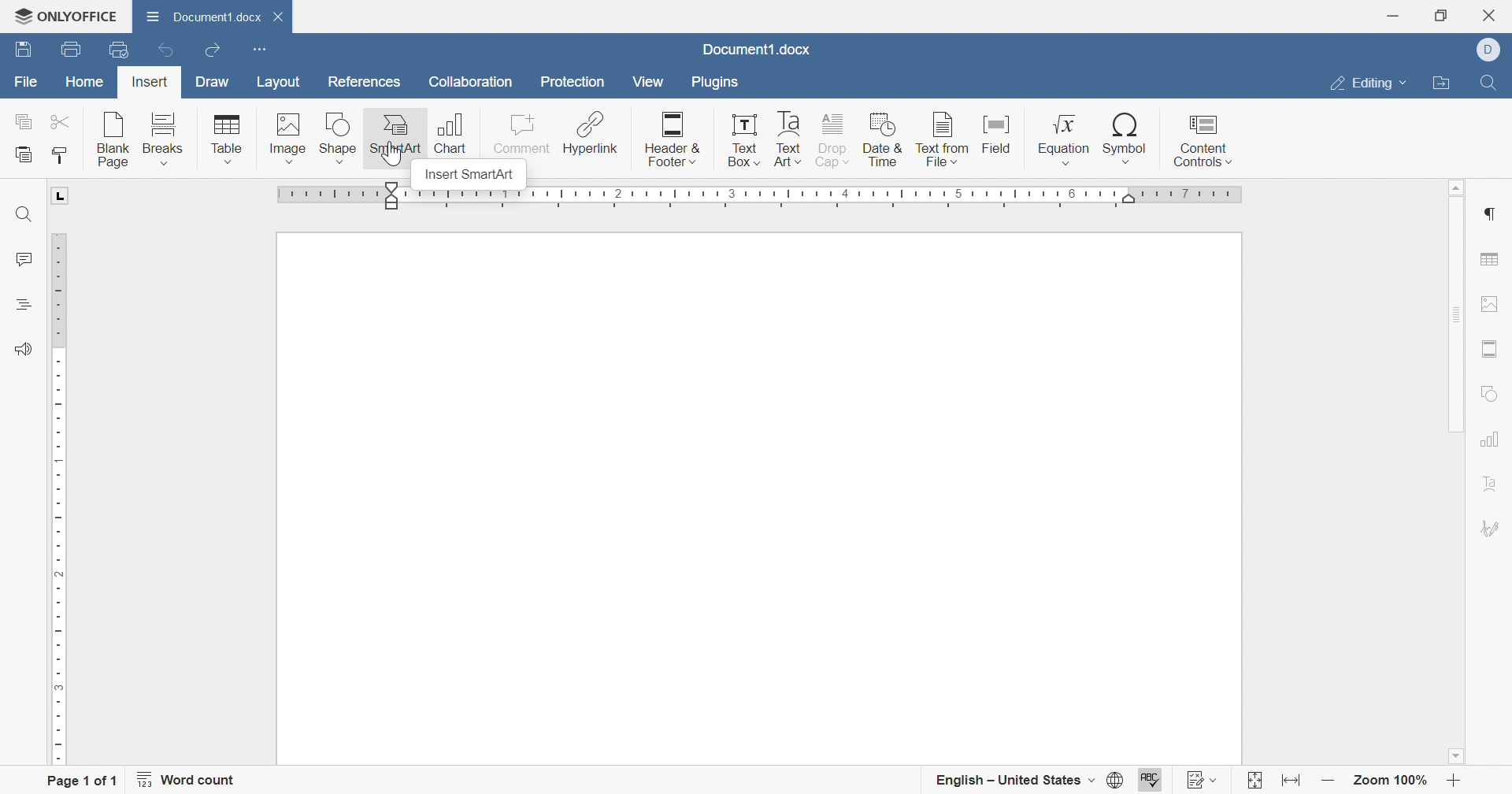 Image resolution: width=1512 pixels, height=794 pixels. What do you see at coordinates (1329, 781) in the screenshot?
I see `Zoom out` at bounding box center [1329, 781].